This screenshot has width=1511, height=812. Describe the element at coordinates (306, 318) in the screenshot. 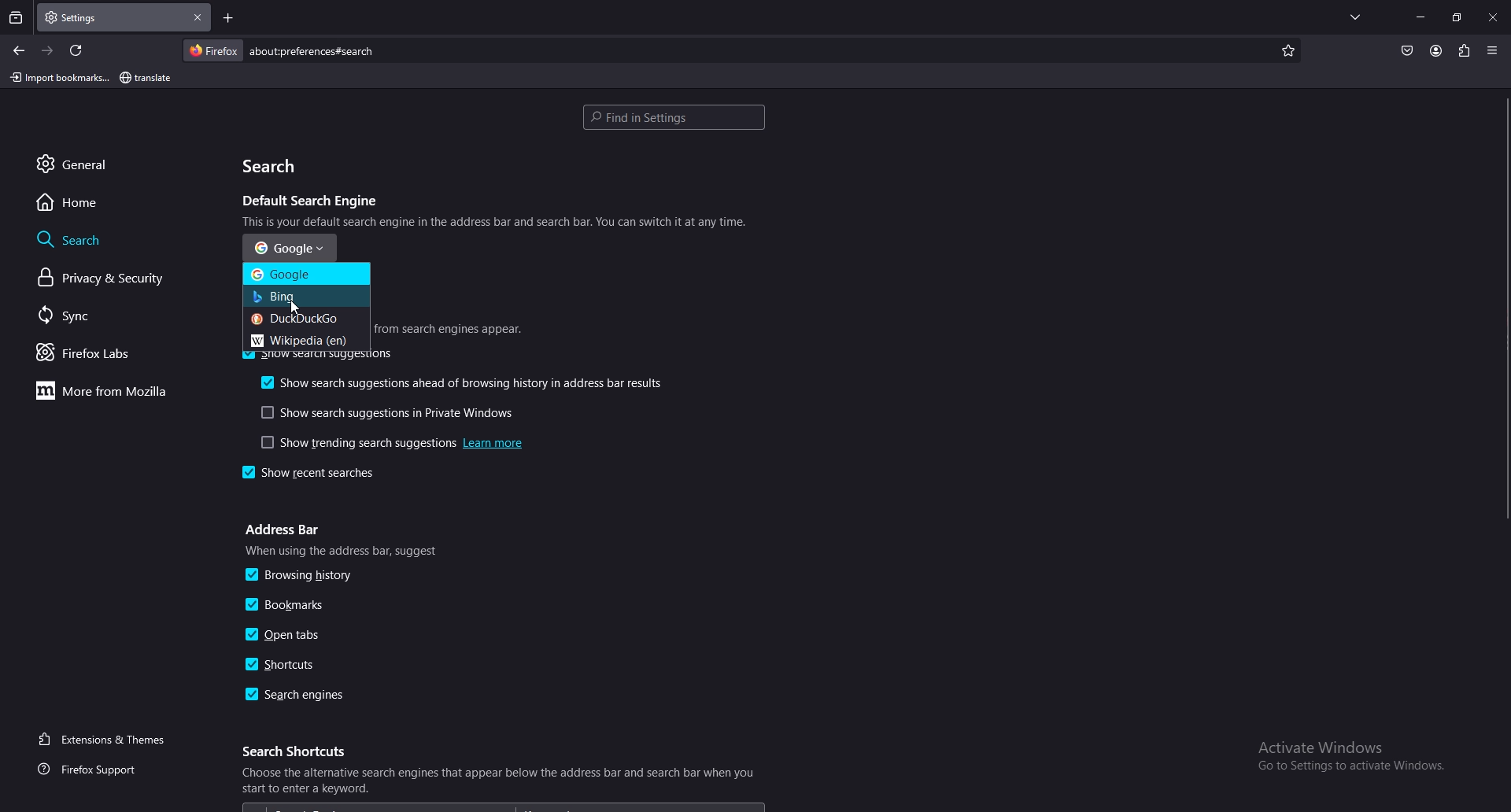

I see `duckduckgo` at that location.